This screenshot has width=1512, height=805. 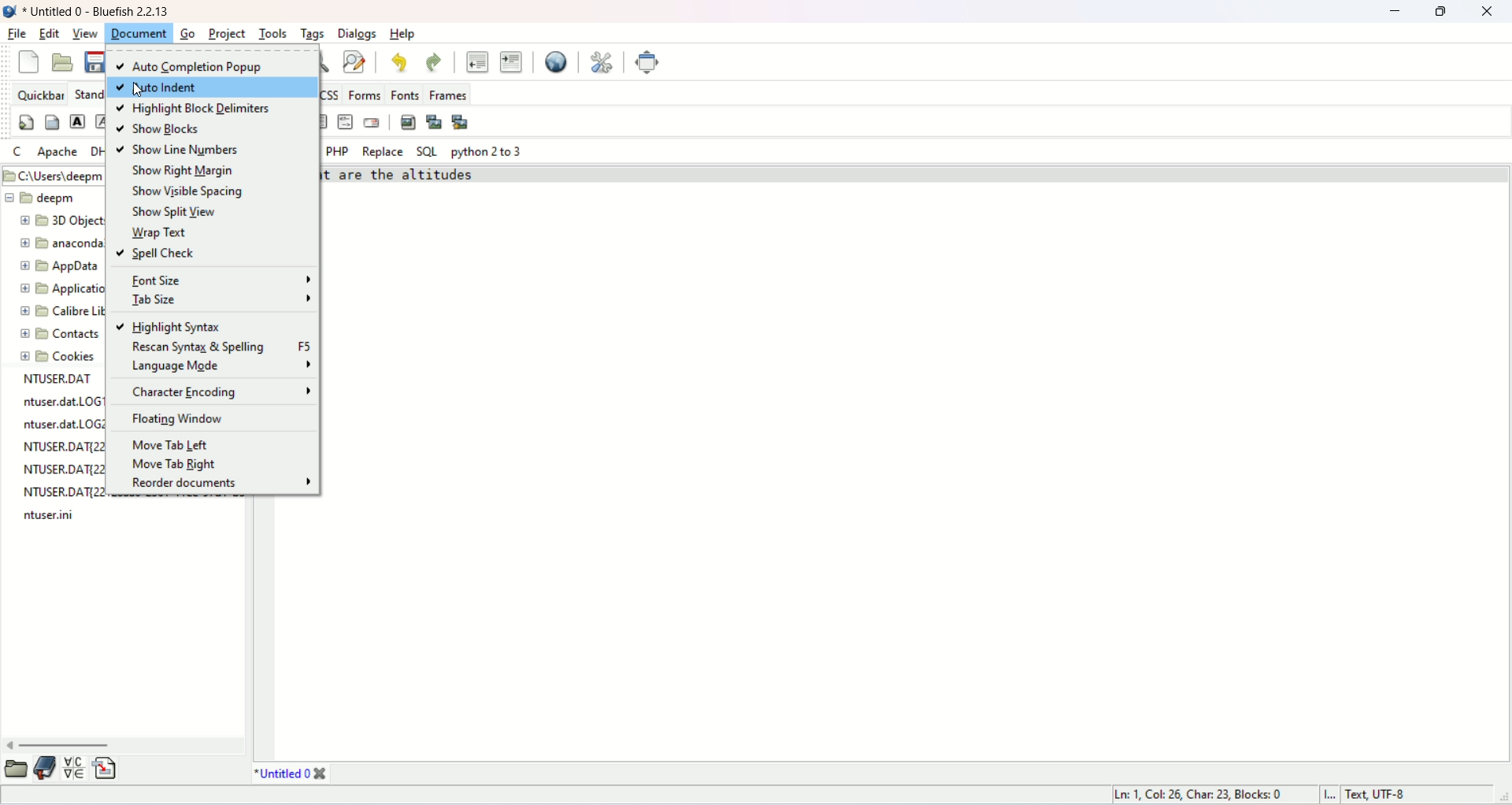 What do you see at coordinates (510, 61) in the screenshot?
I see `indent` at bounding box center [510, 61].